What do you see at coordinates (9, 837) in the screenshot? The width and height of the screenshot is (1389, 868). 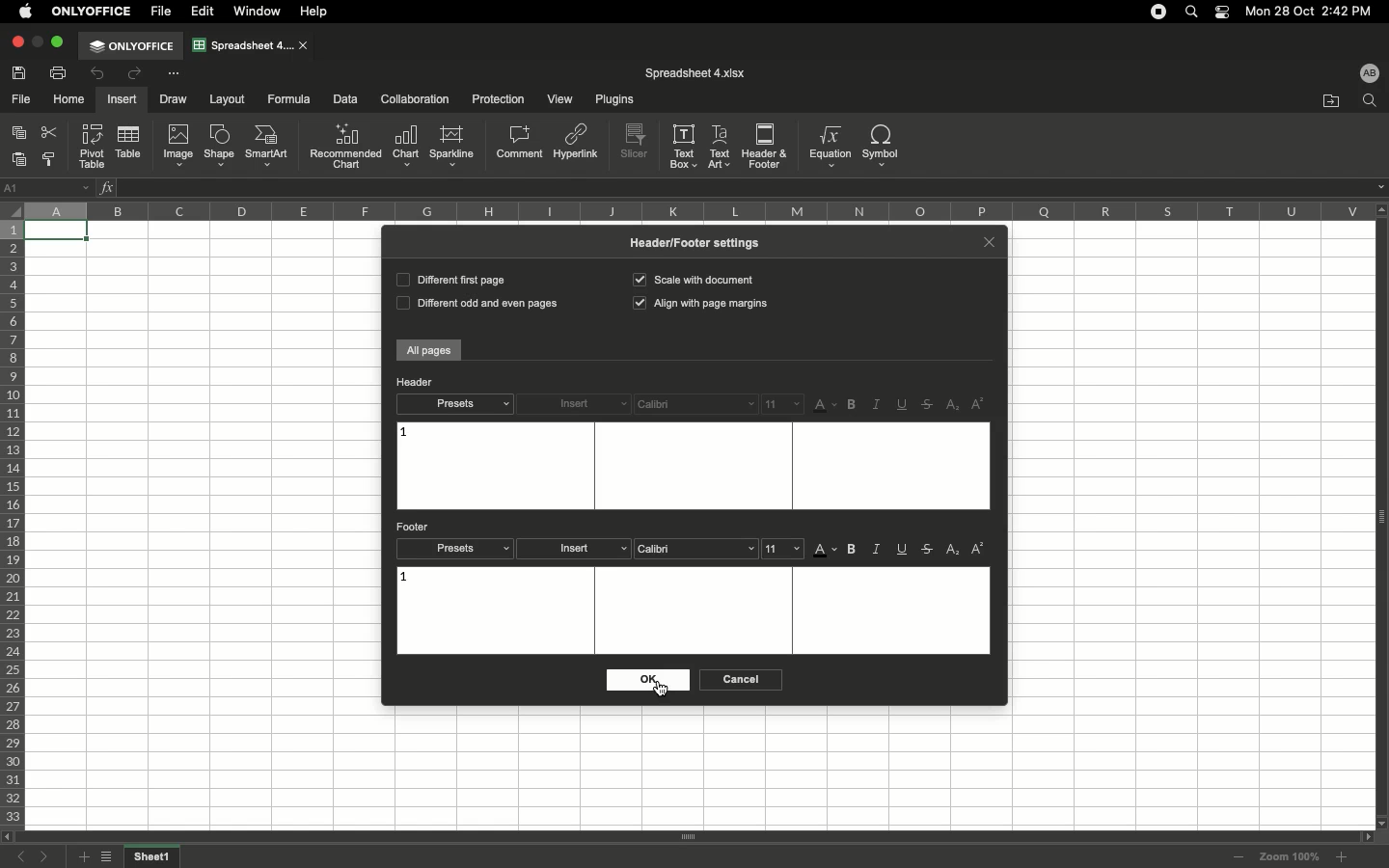 I see `scroll left` at bounding box center [9, 837].